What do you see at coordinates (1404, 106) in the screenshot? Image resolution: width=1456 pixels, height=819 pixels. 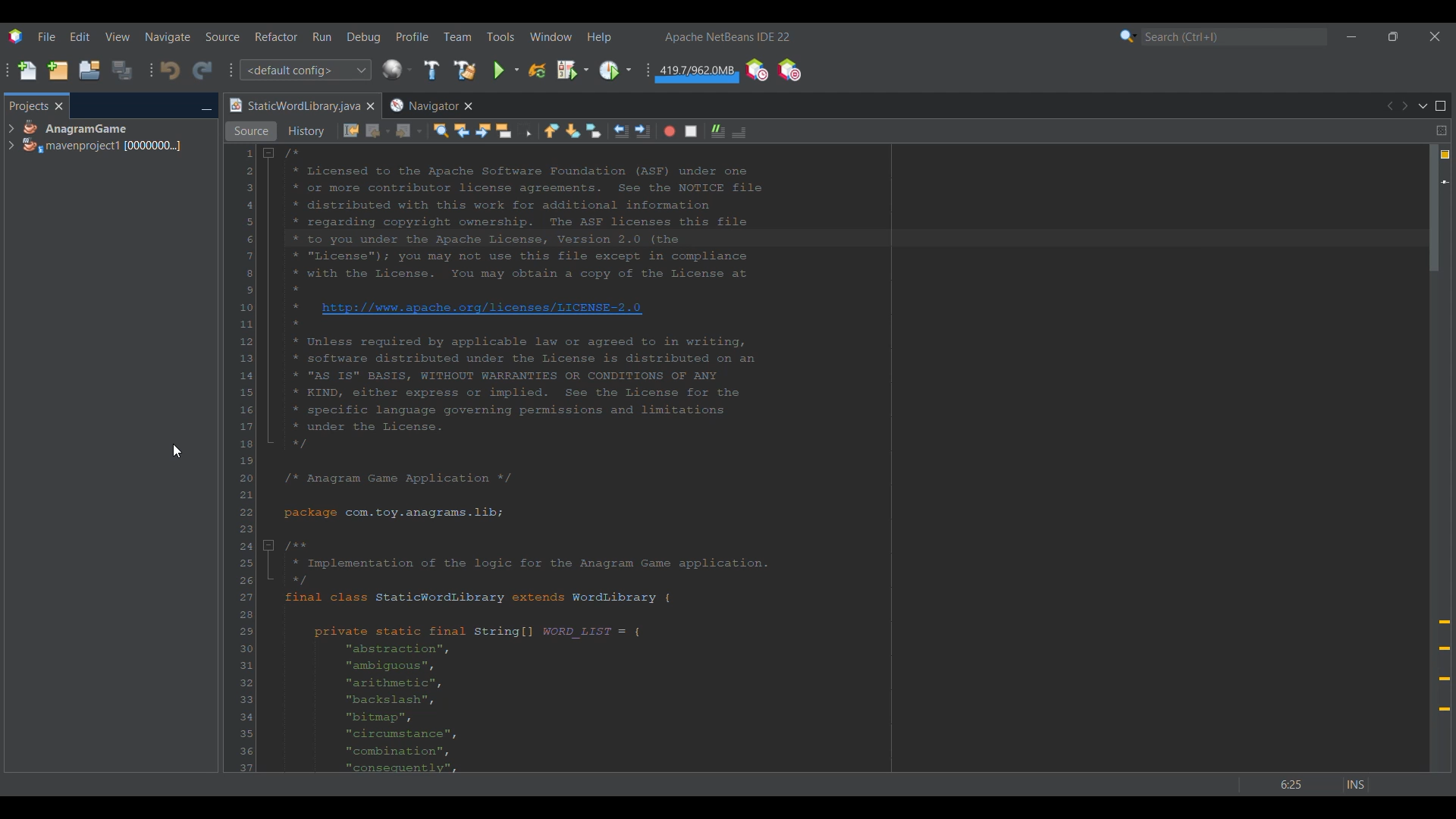 I see `Next` at bounding box center [1404, 106].